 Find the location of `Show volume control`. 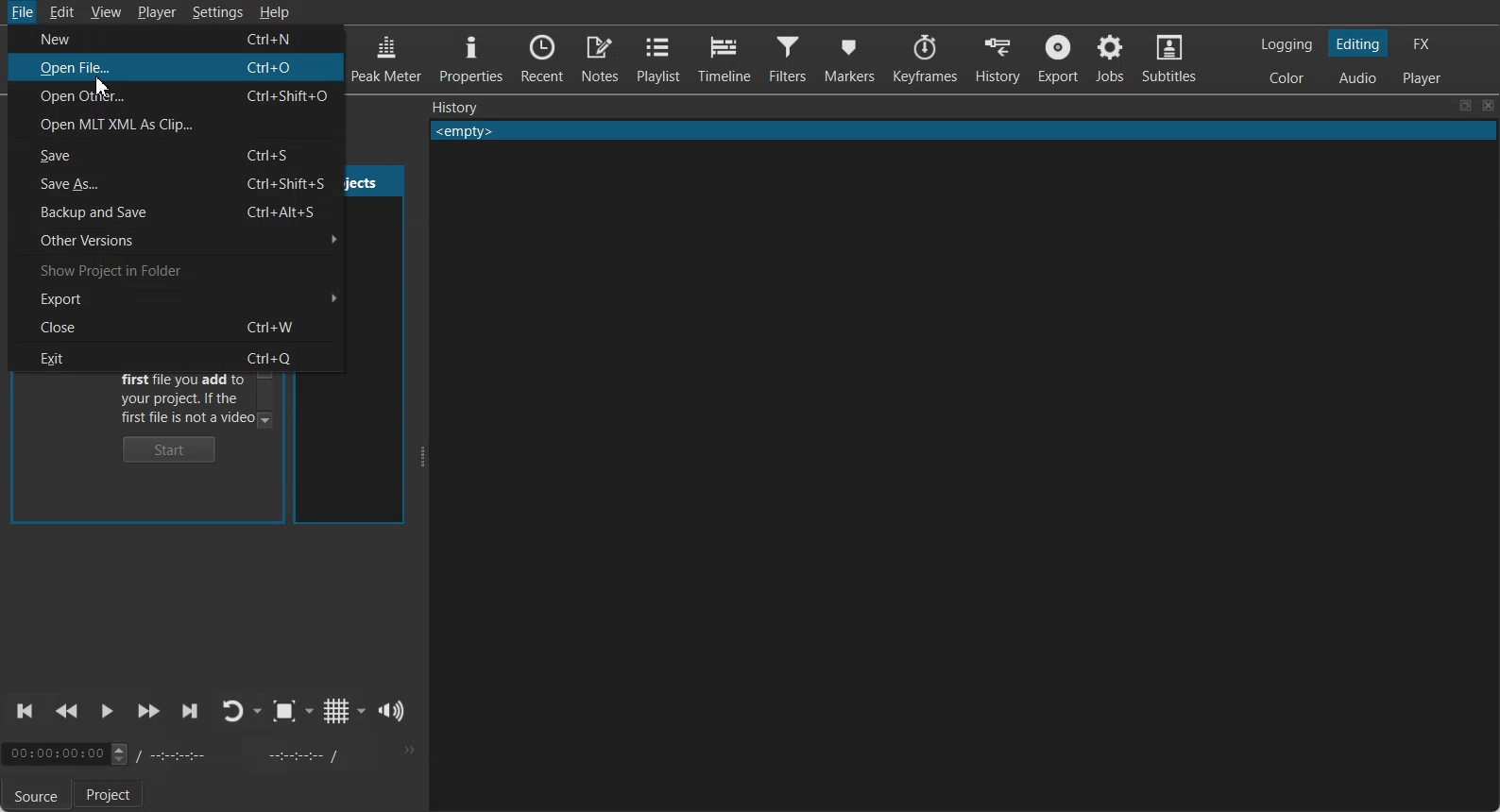

Show volume control is located at coordinates (392, 711).